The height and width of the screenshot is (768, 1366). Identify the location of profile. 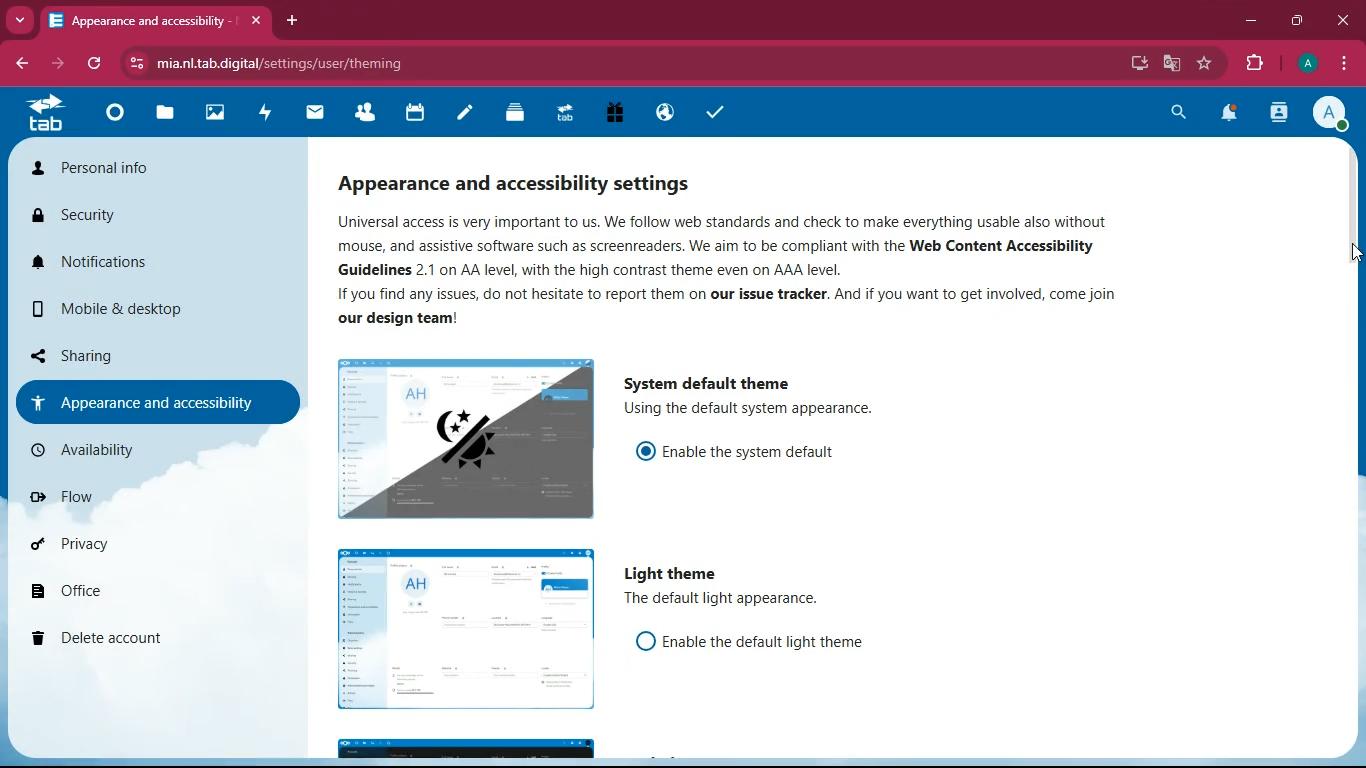
(1335, 115).